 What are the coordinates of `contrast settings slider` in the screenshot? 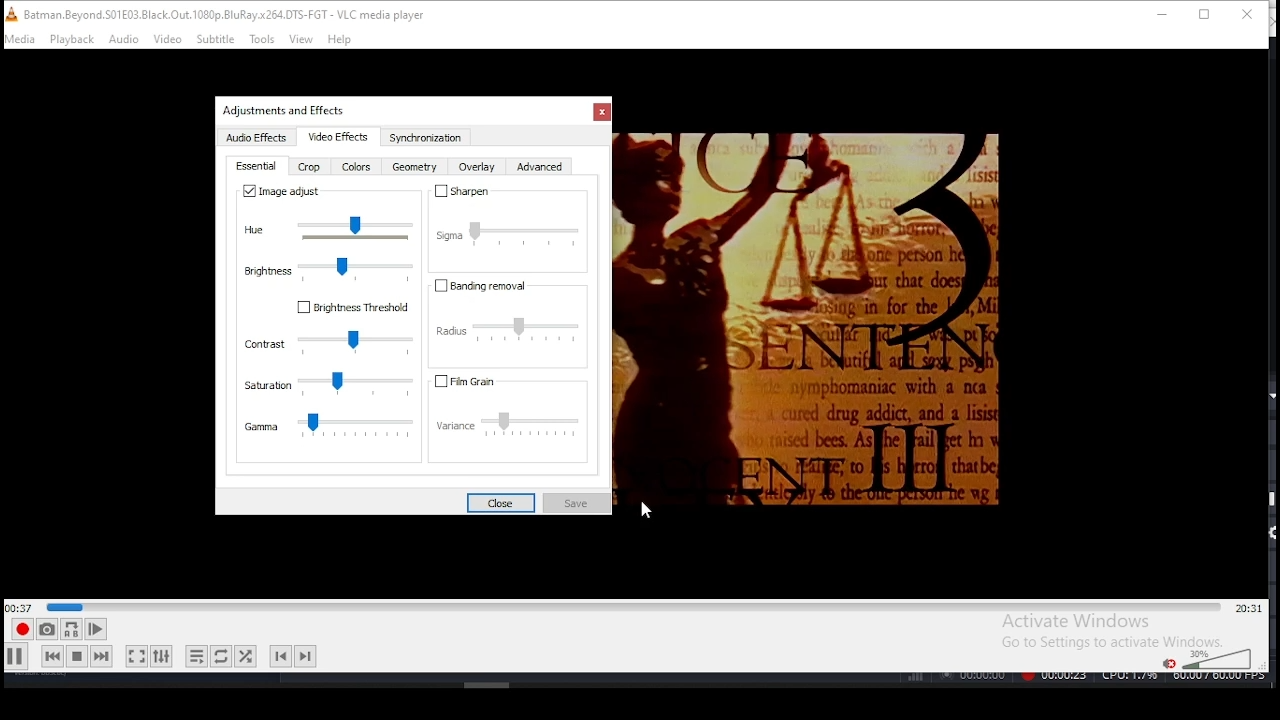 It's located at (329, 341).